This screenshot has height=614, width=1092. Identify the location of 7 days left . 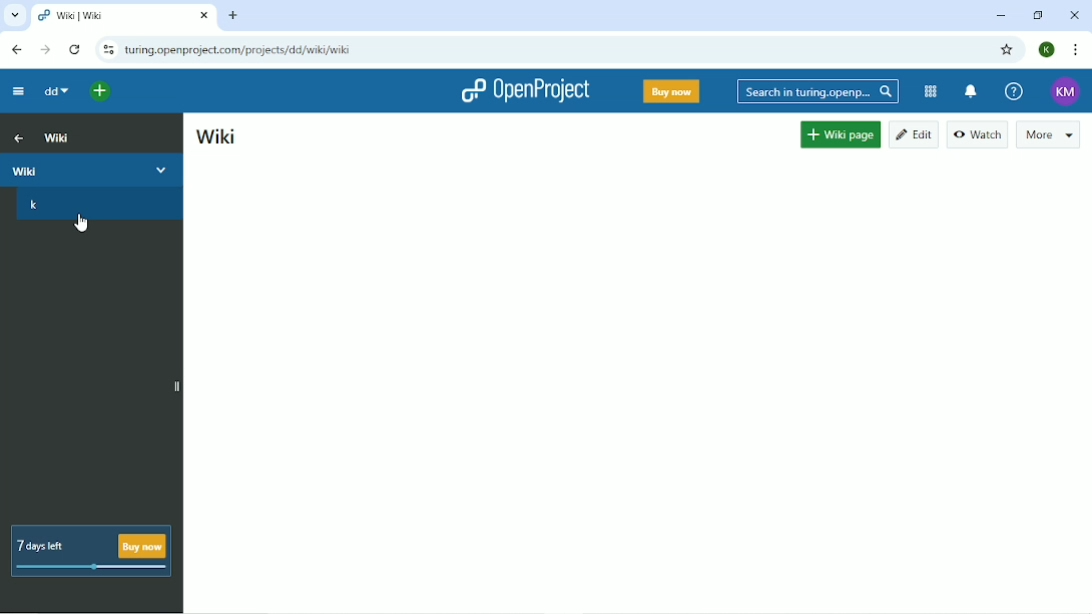
(94, 549).